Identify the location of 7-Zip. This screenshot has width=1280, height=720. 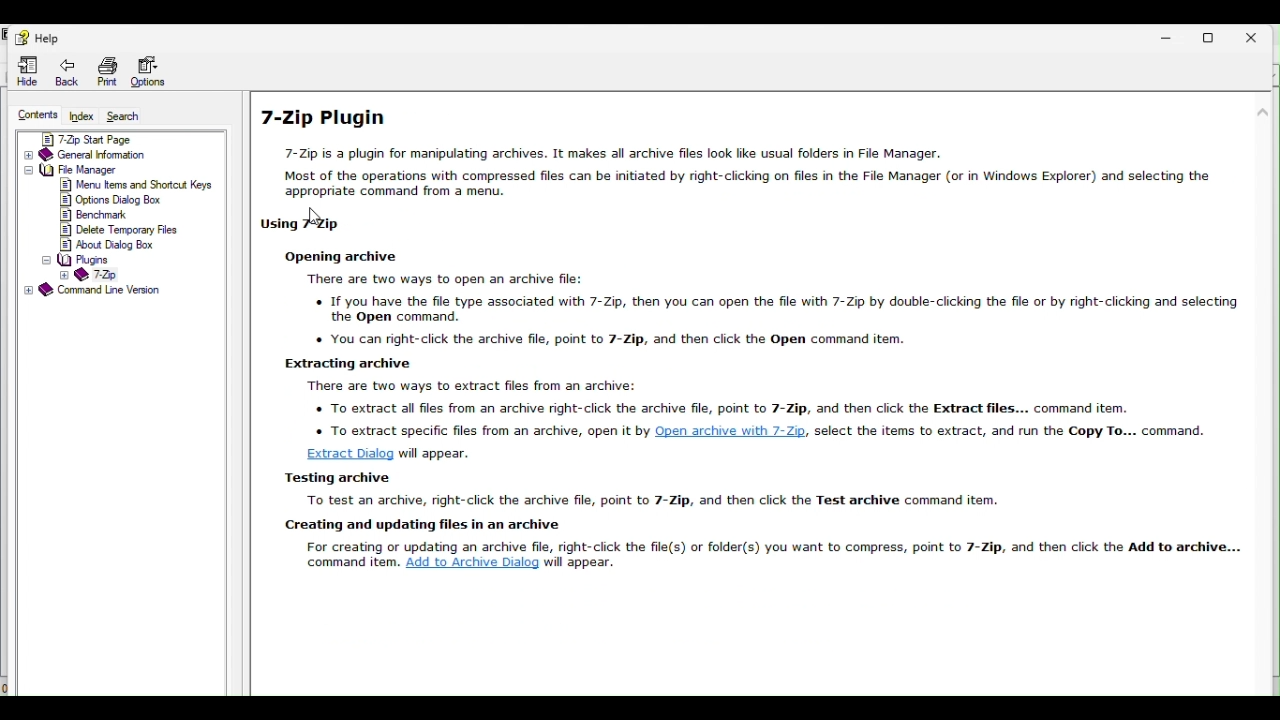
(98, 275).